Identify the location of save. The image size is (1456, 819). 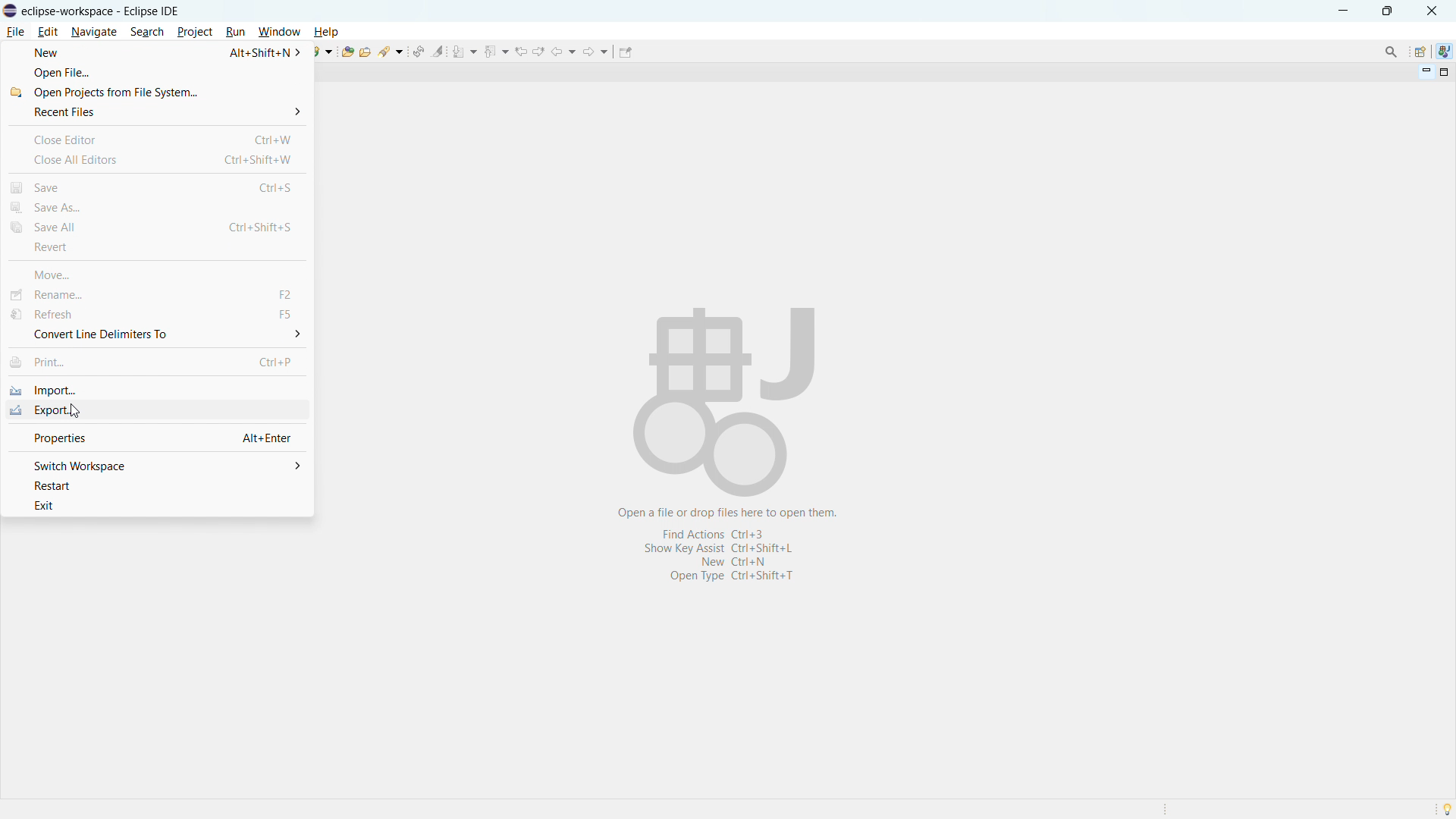
(157, 187).